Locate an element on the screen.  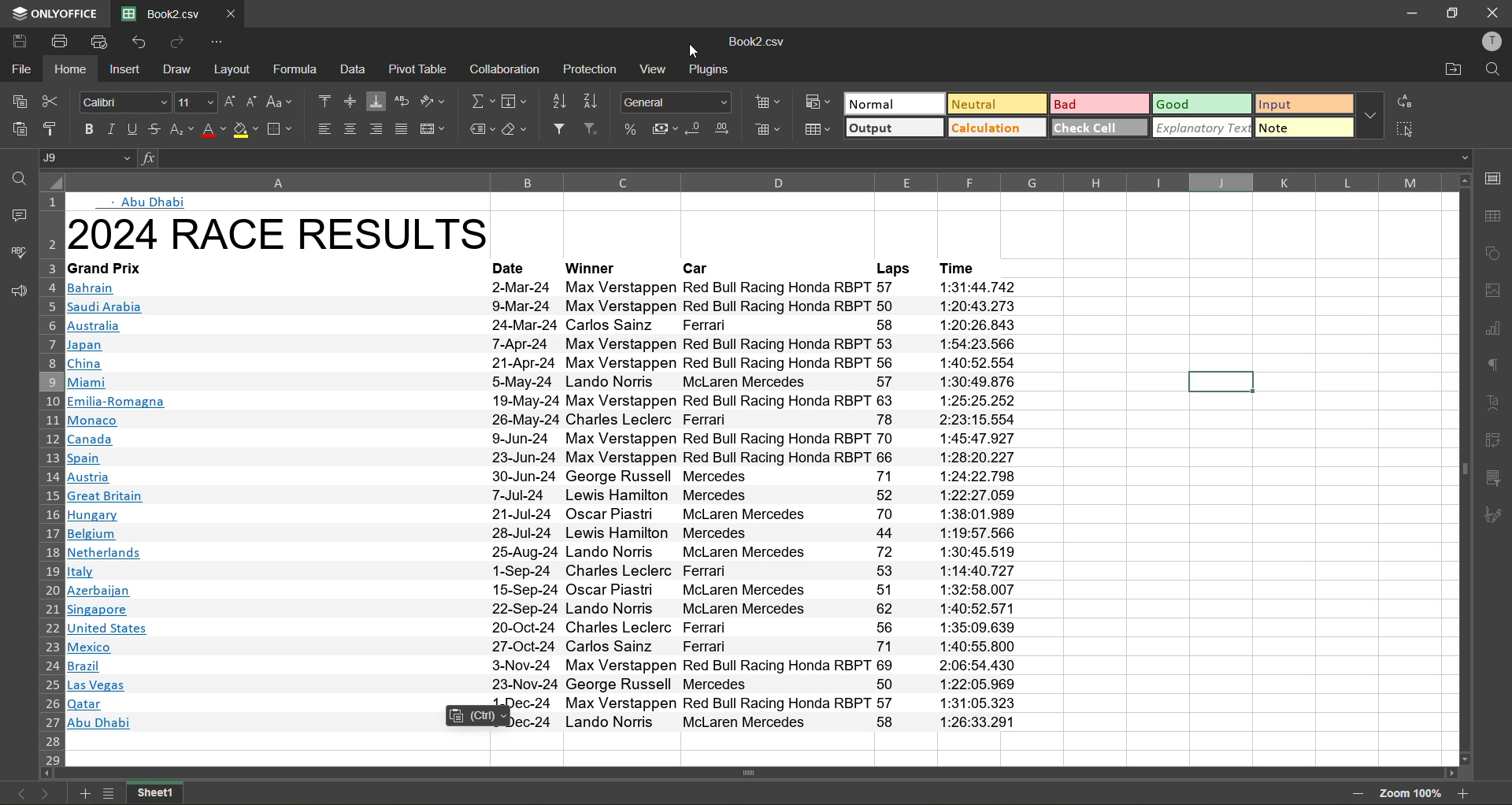
home is located at coordinates (75, 71).